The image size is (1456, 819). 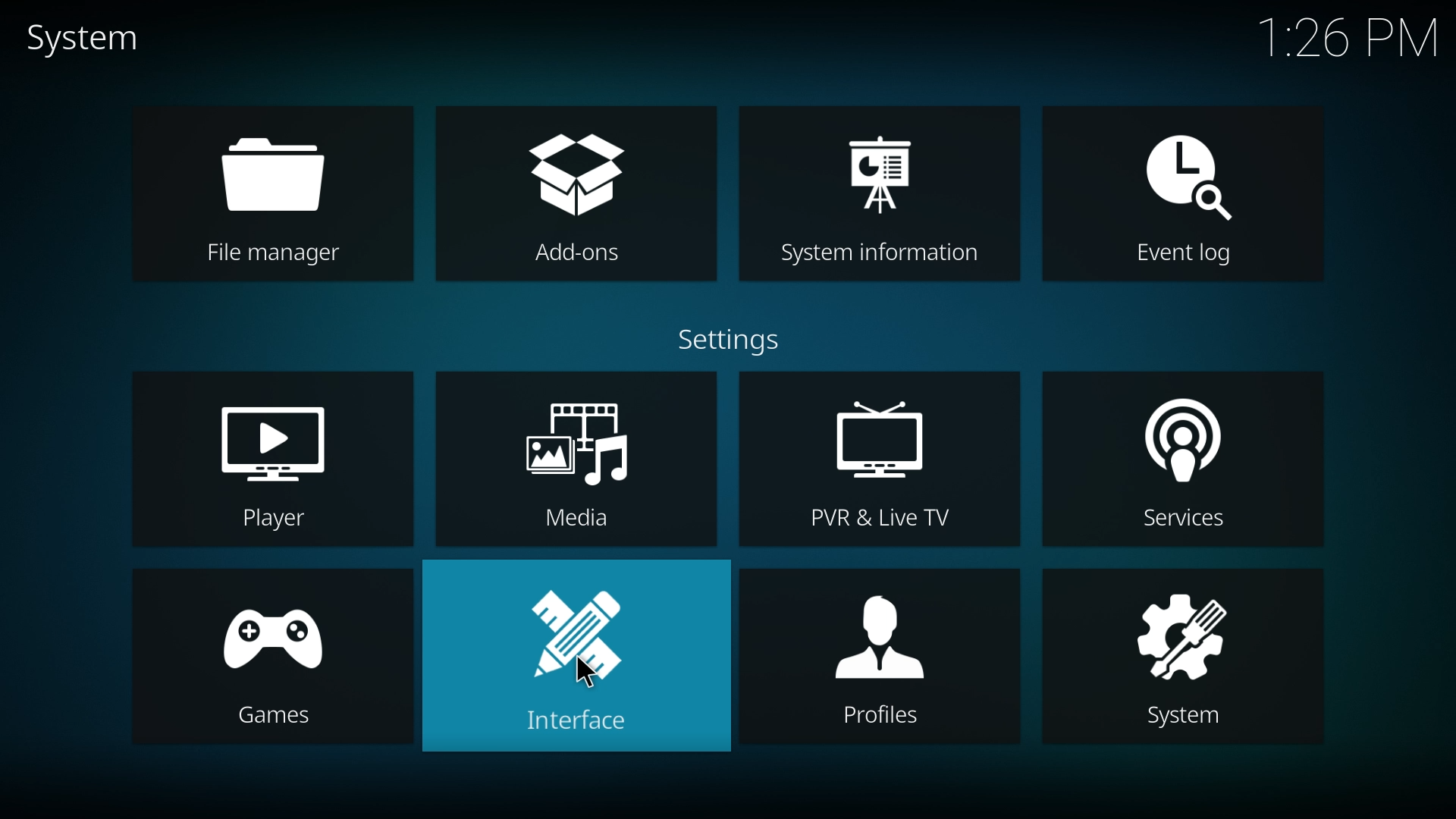 What do you see at coordinates (880, 460) in the screenshot?
I see `pvr and live tv` at bounding box center [880, 460].